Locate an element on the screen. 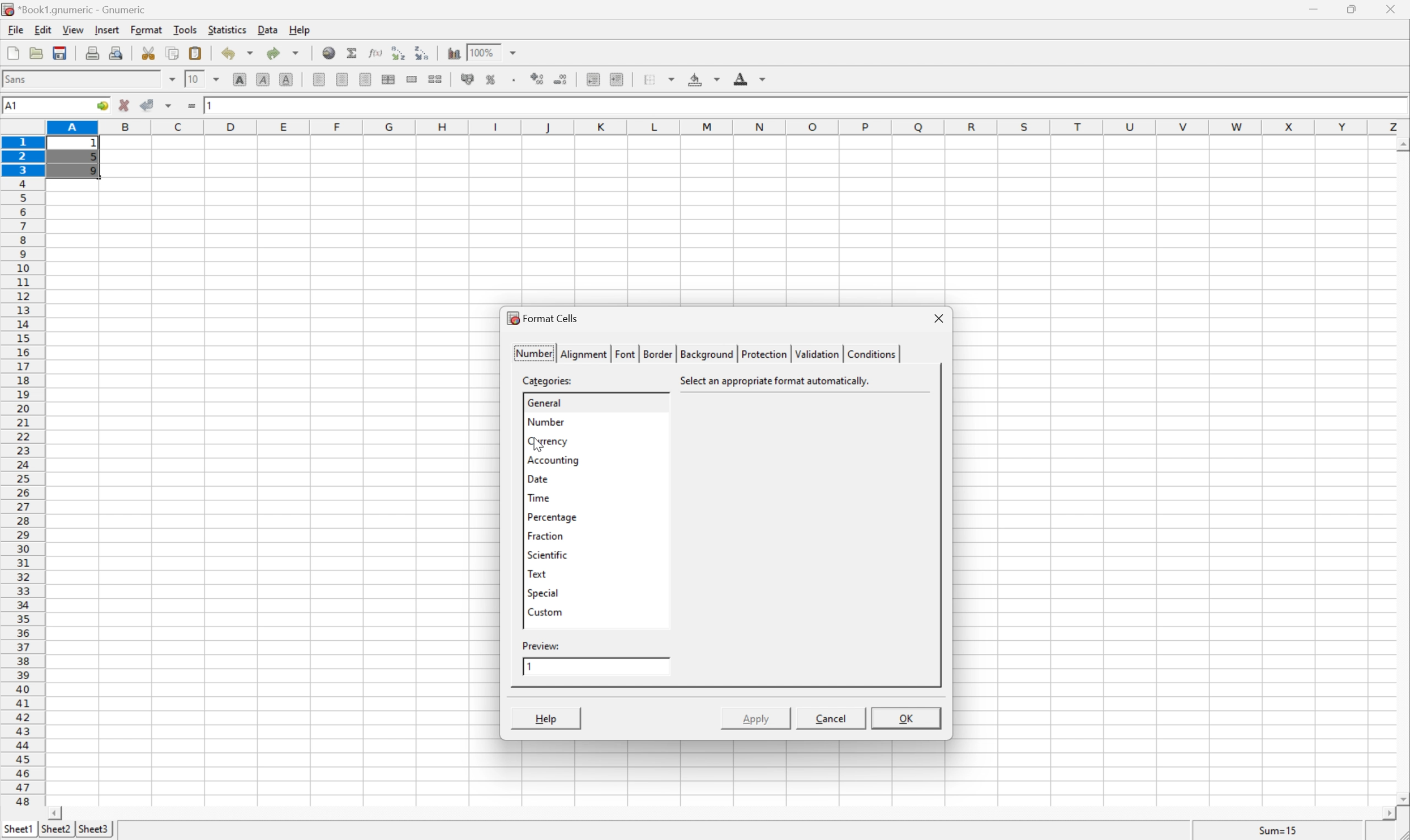  new is located at coordinates (14, 50).